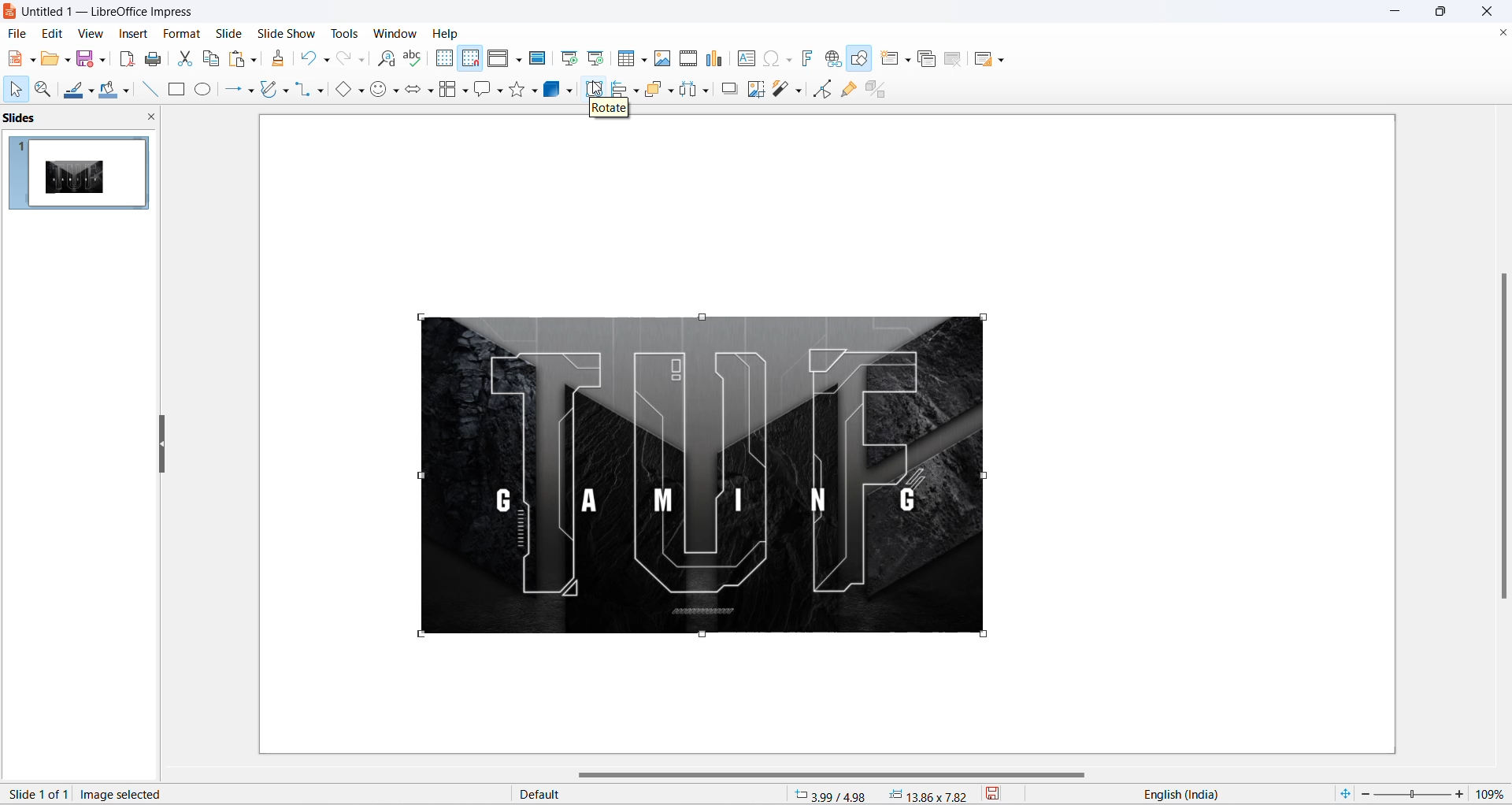  Describe the element at coordinates (754, 90) in the screenshot. I see `crop image` at that location.